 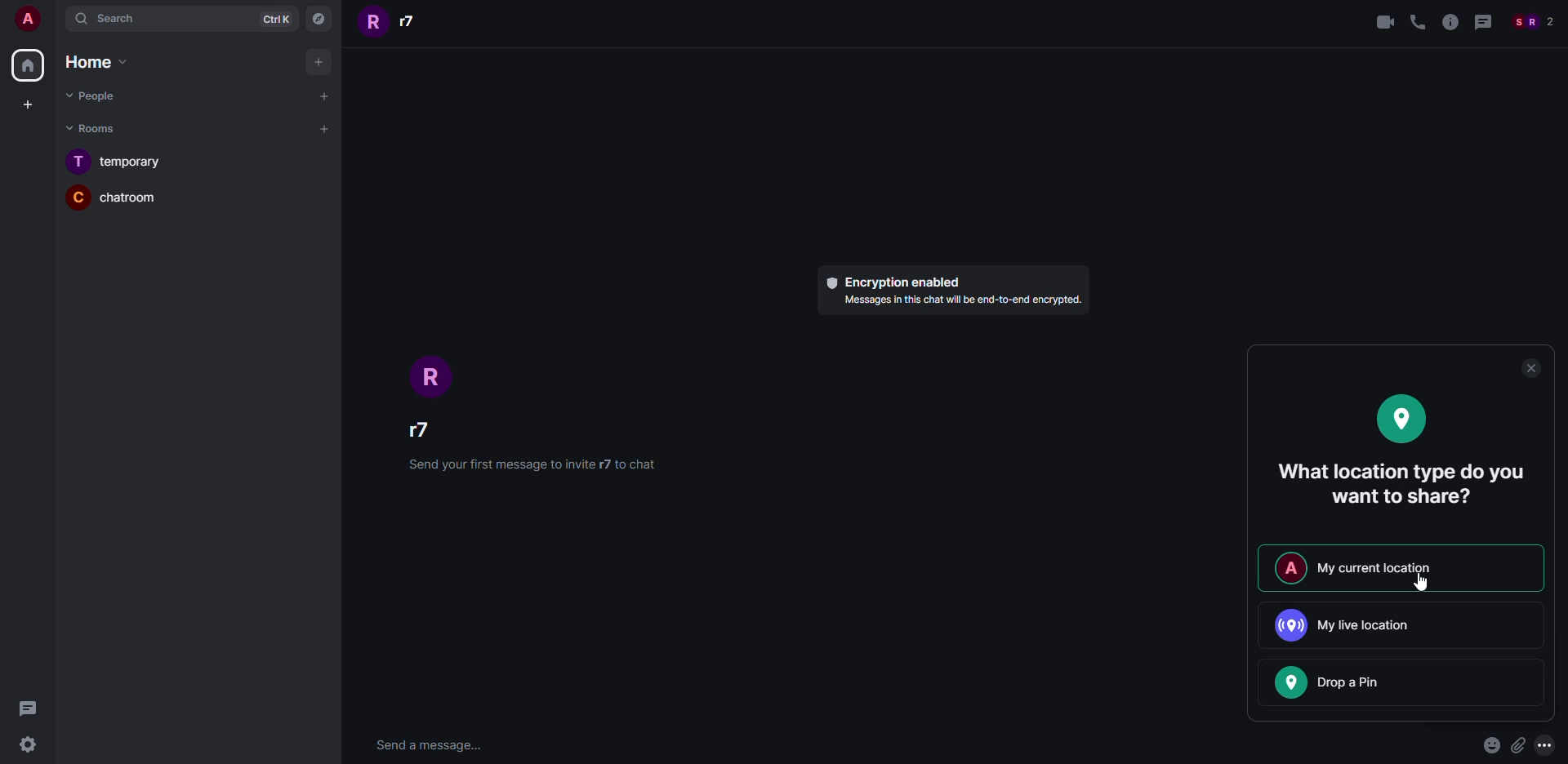 I want to click on Message, so click(x=1481, y=24).